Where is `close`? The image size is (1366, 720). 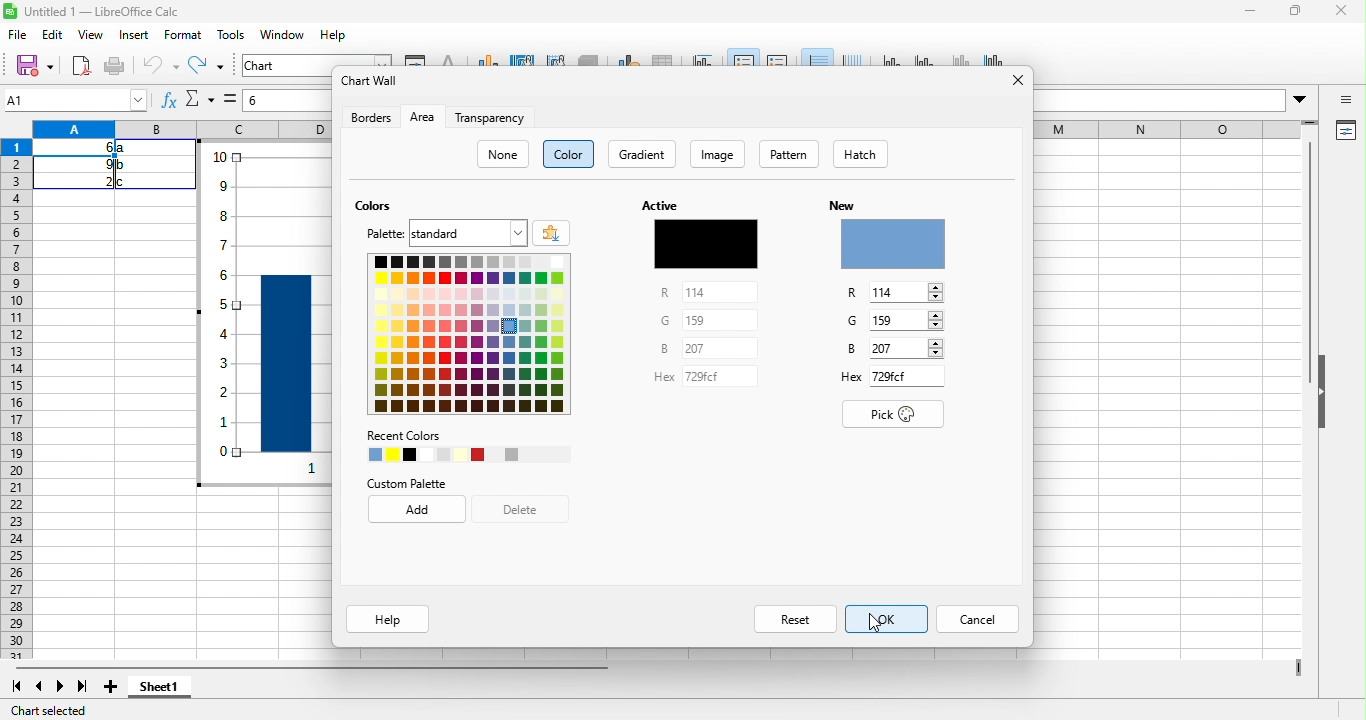
close is located at coordinates (1344, 12).